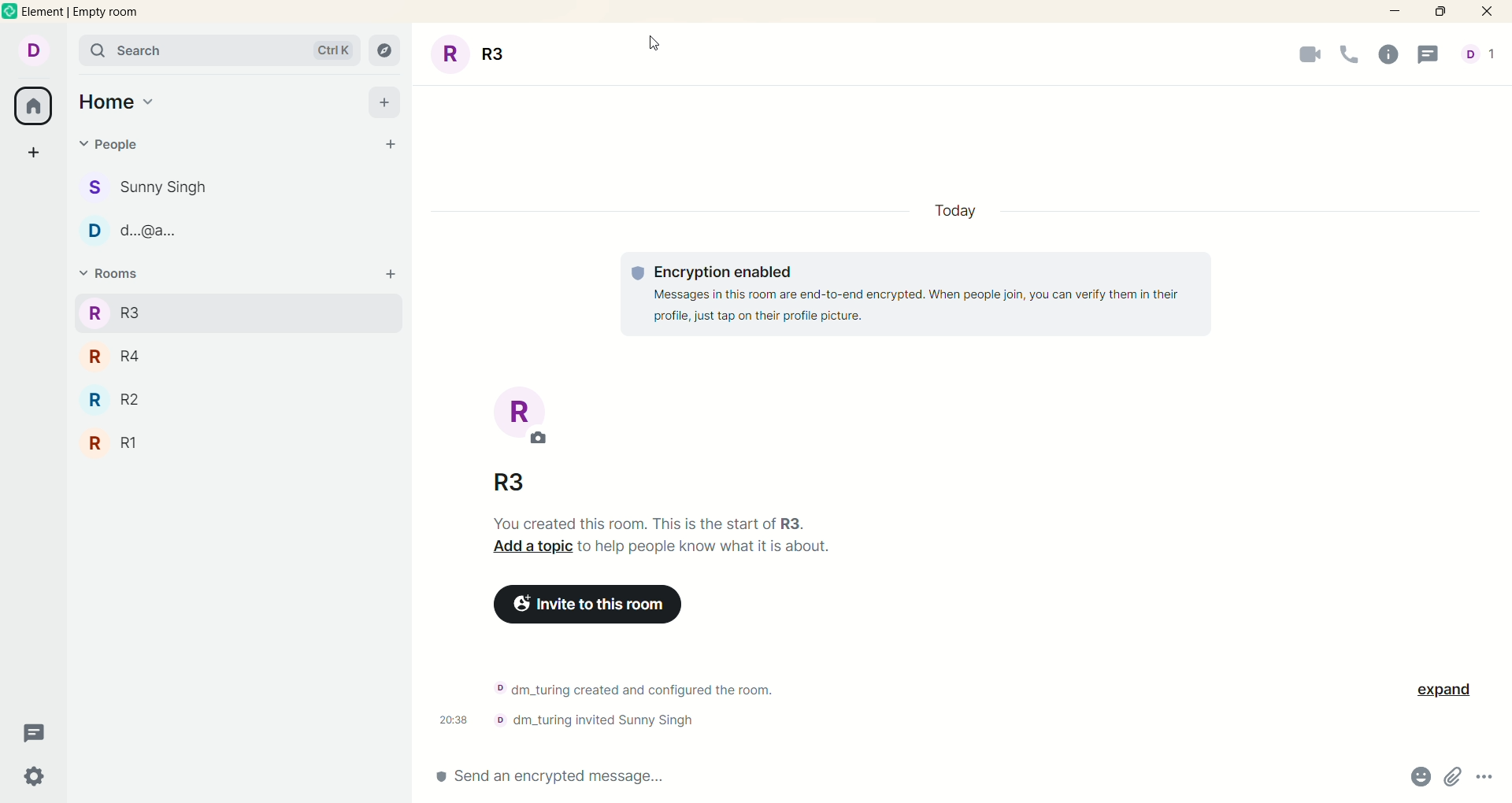 This screenshot has width=1512, height=803. I want to click on close, so click(1484, 12).